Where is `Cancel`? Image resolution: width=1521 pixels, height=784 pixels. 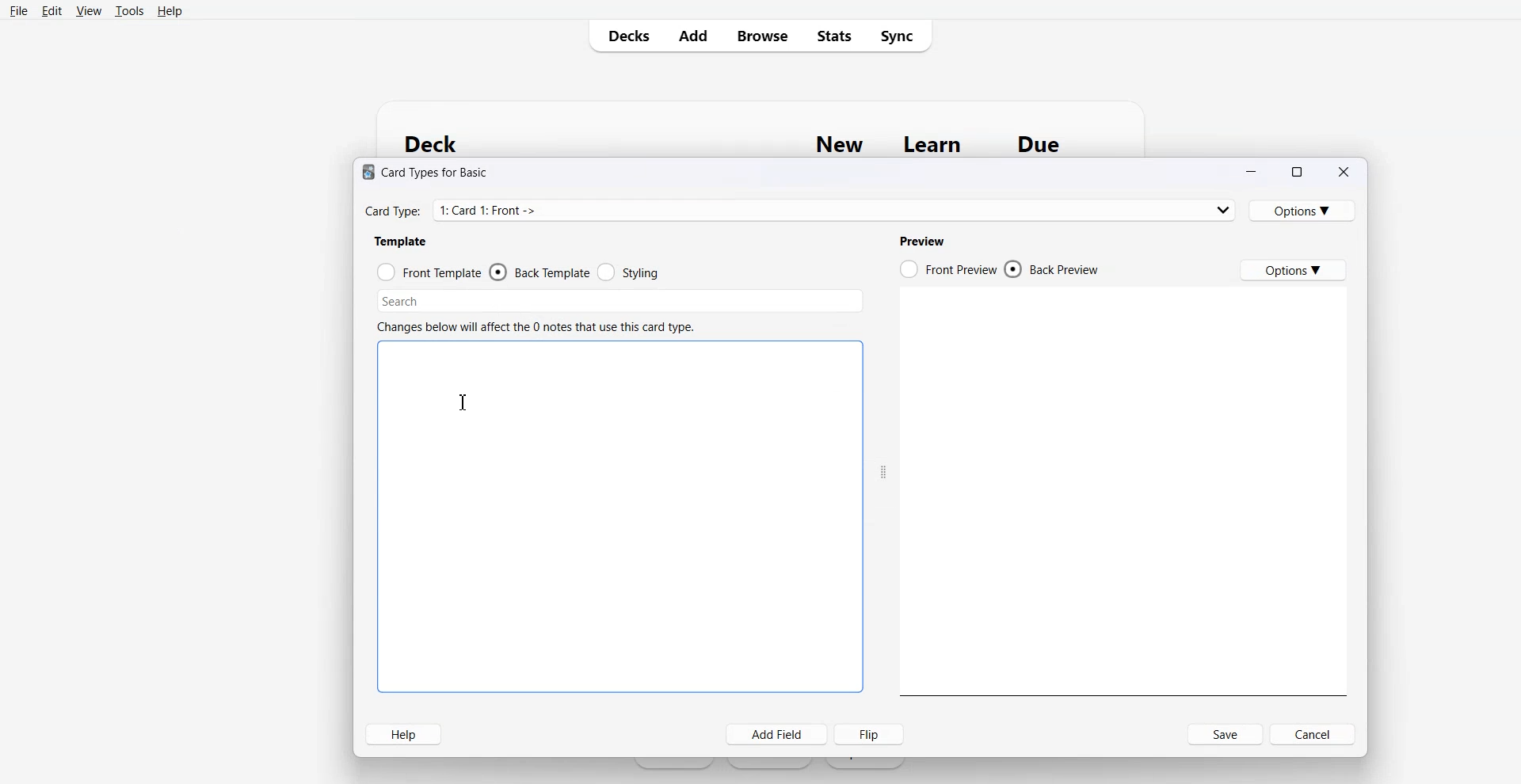
Cancel is located at coordinates (1312, 734).